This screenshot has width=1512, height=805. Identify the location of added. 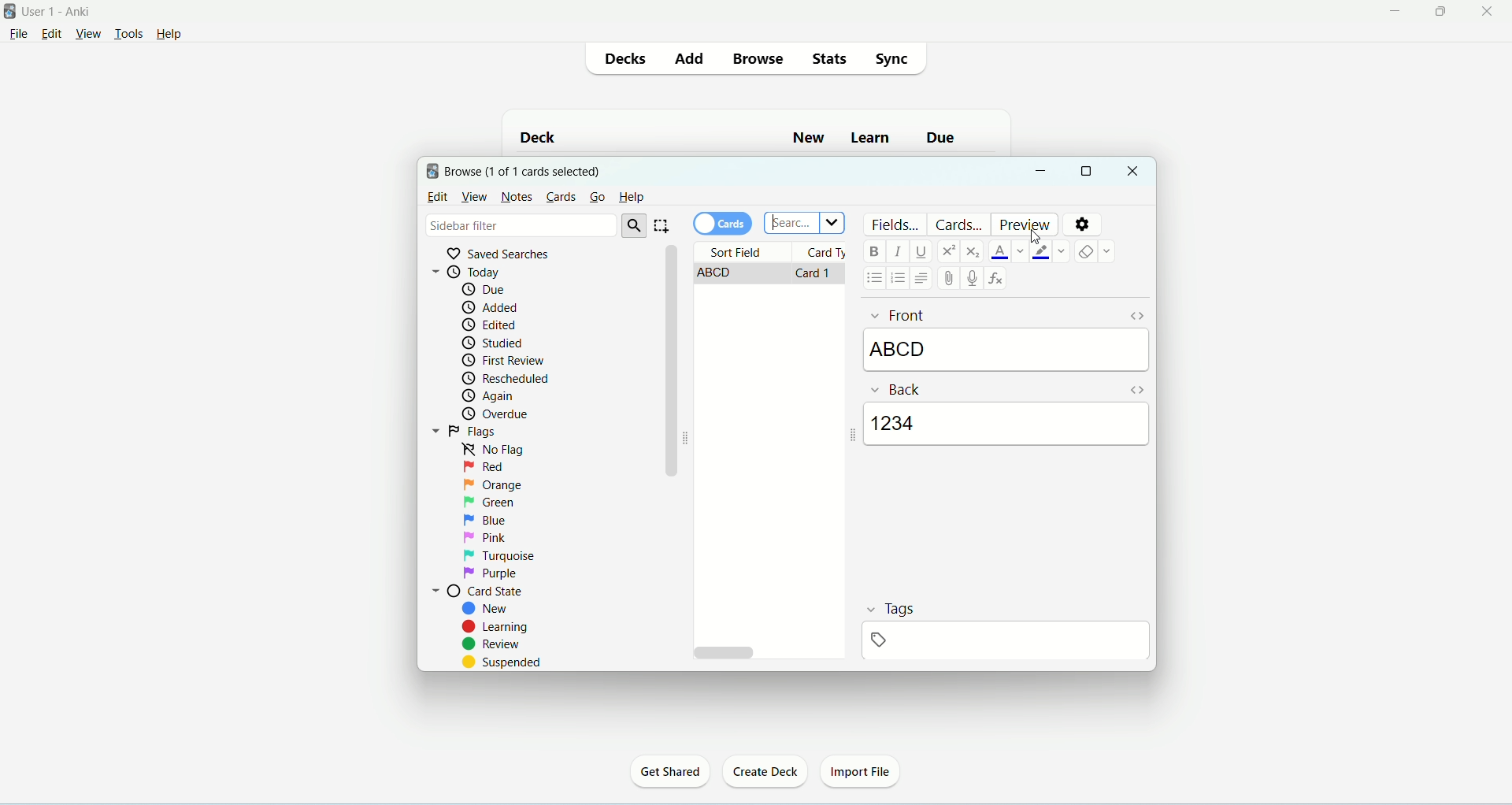
(493, 306).